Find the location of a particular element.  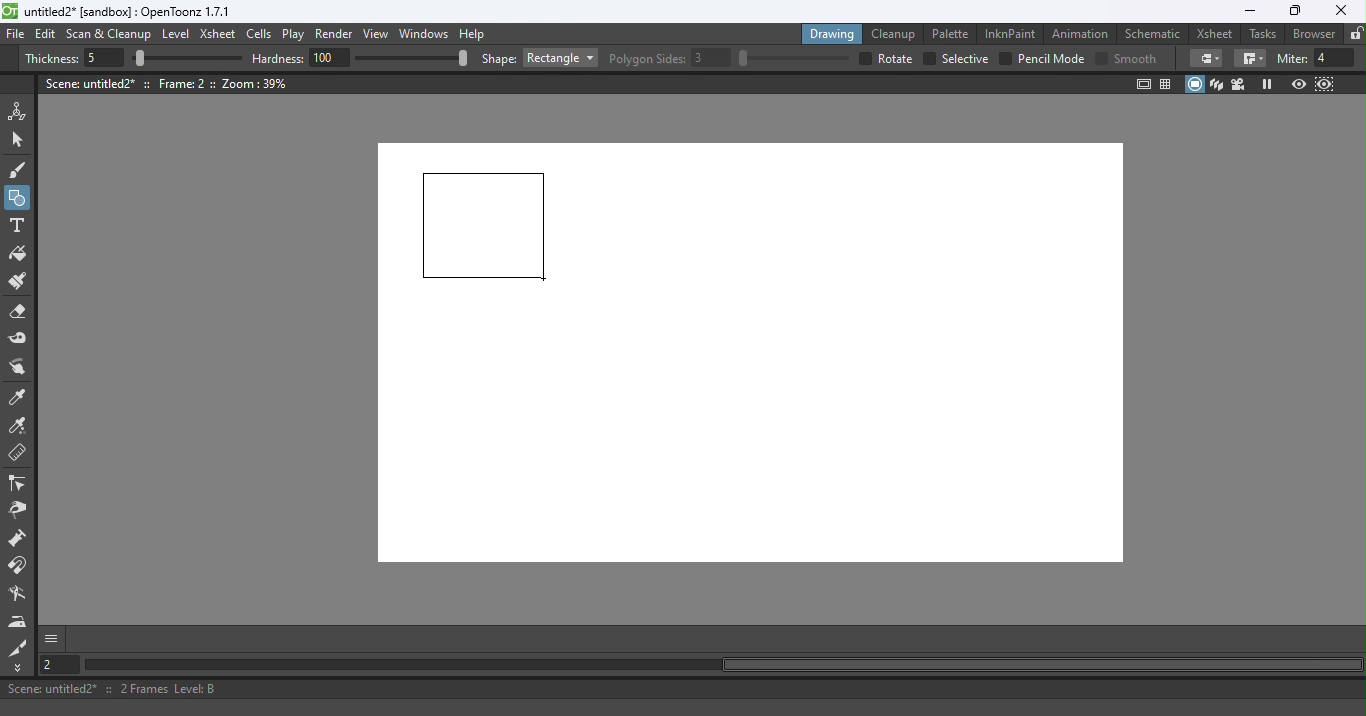

Animate tool is located at coordinates (21, 111).